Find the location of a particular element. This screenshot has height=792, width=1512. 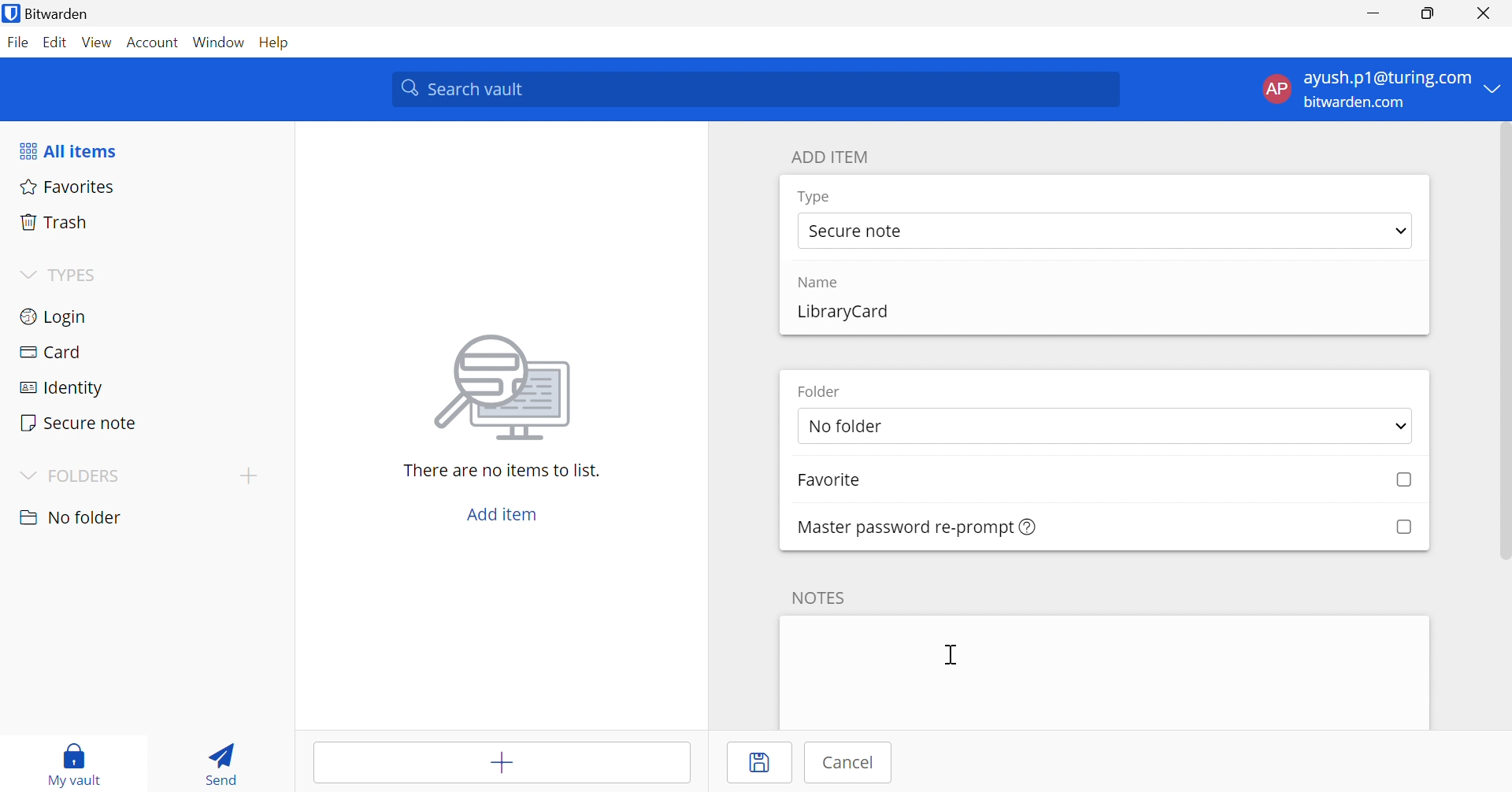

Send is located at coordinates (224, 761).